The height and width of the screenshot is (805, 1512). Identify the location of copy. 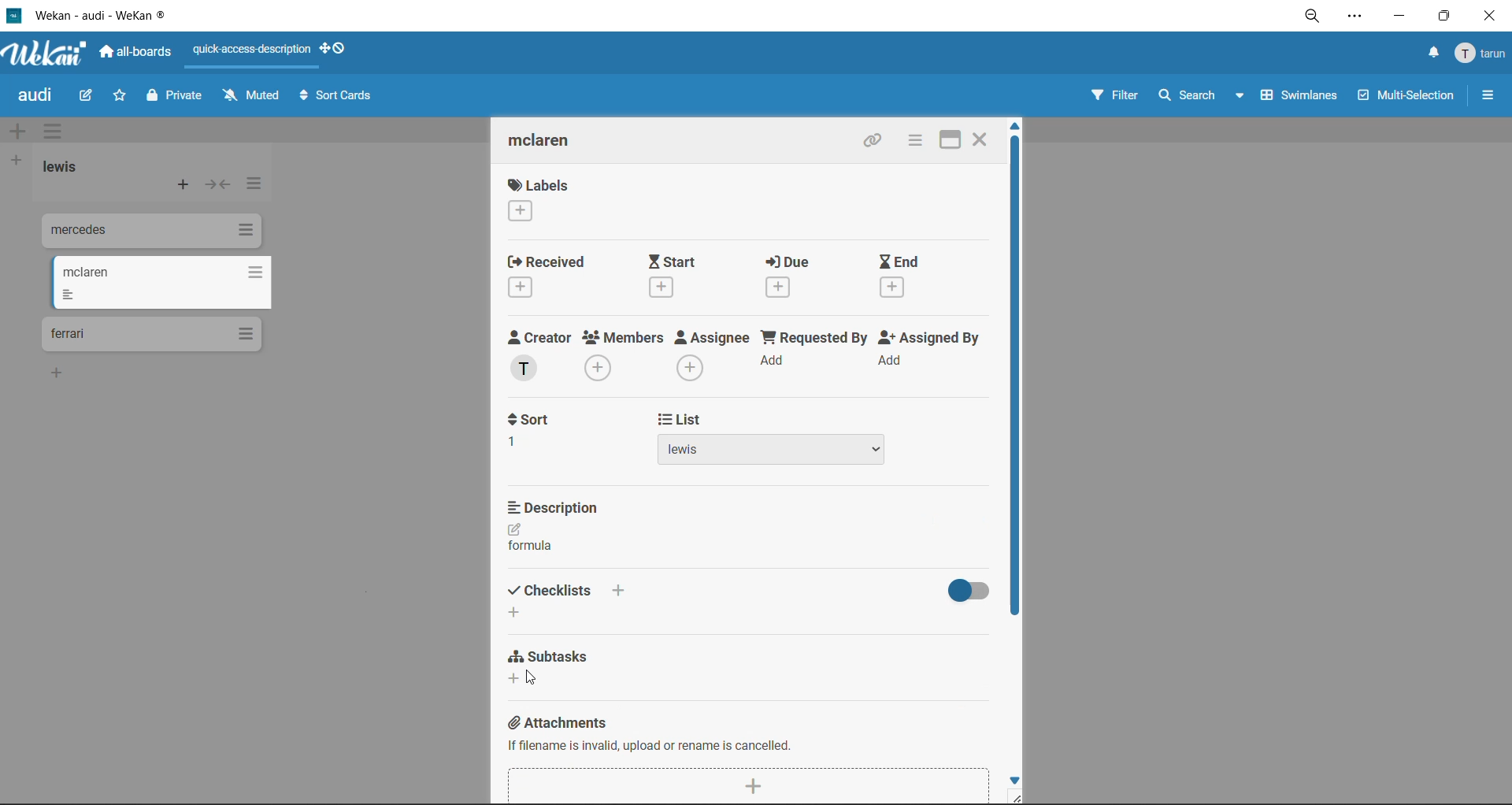
(976, 521).